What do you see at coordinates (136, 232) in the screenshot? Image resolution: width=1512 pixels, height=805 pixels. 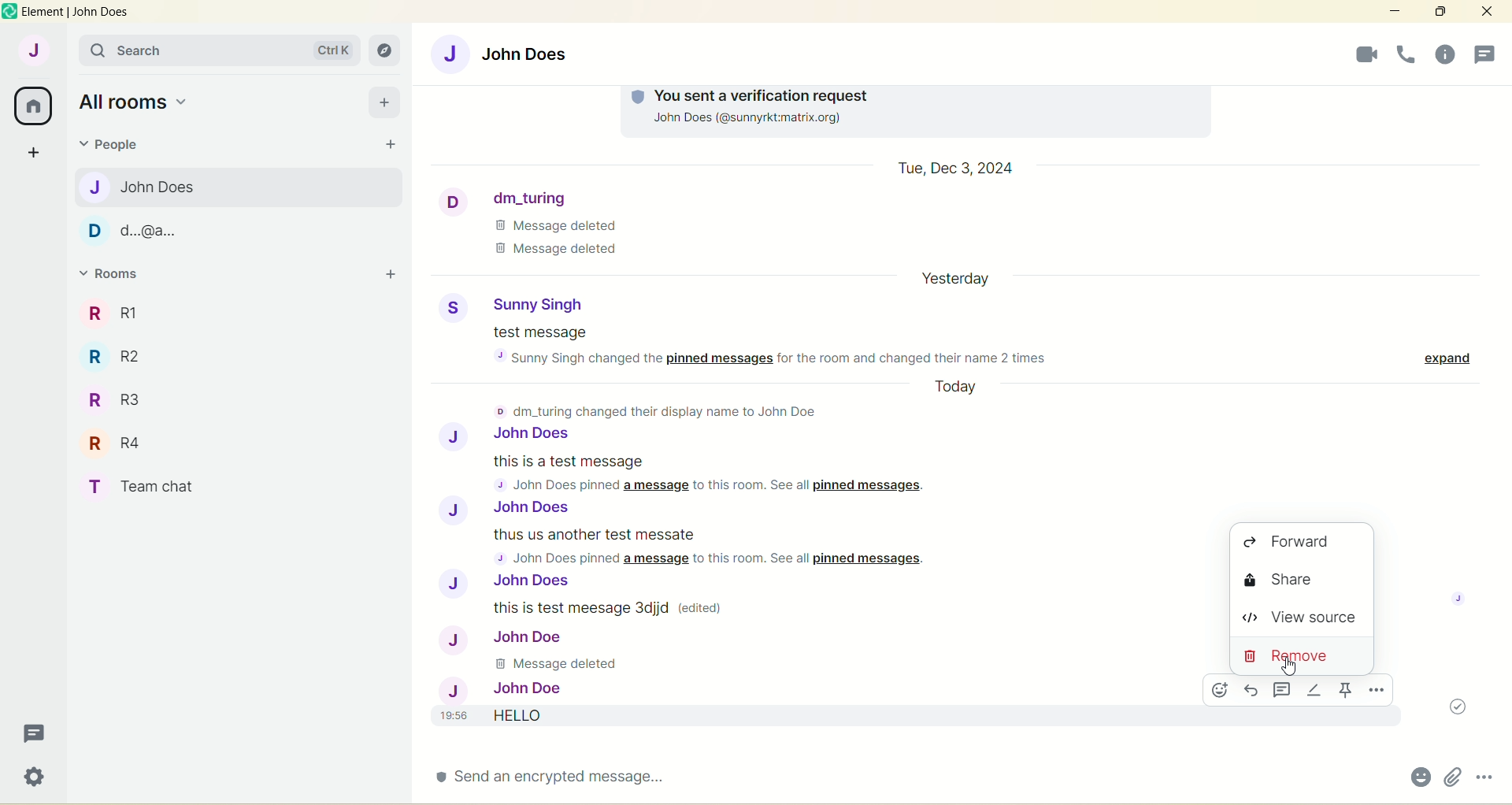 I see `d...@a...` at bounding box center [136, 232].